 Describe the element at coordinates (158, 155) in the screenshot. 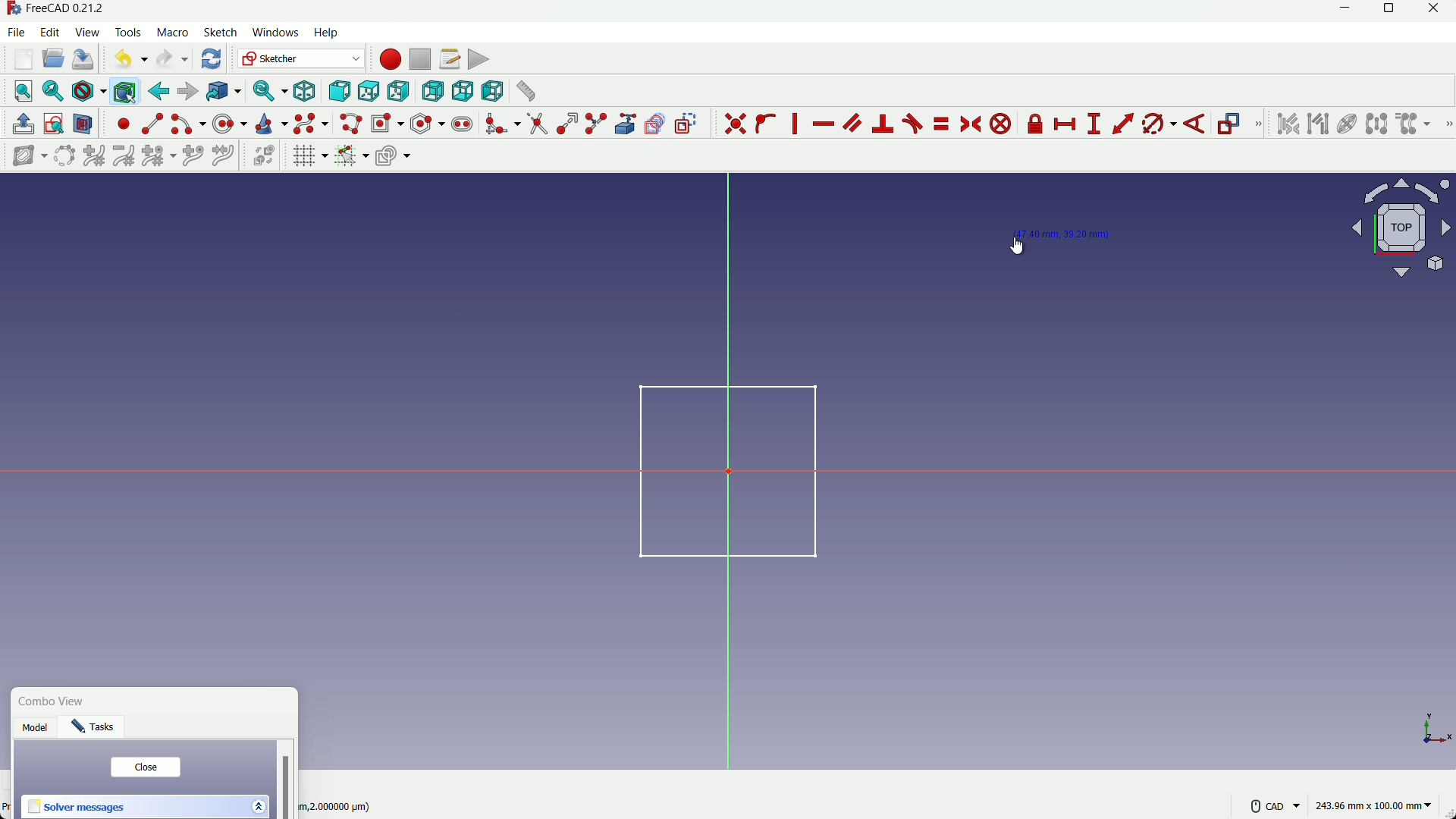

I see `modify knot multiplicity` at that location.